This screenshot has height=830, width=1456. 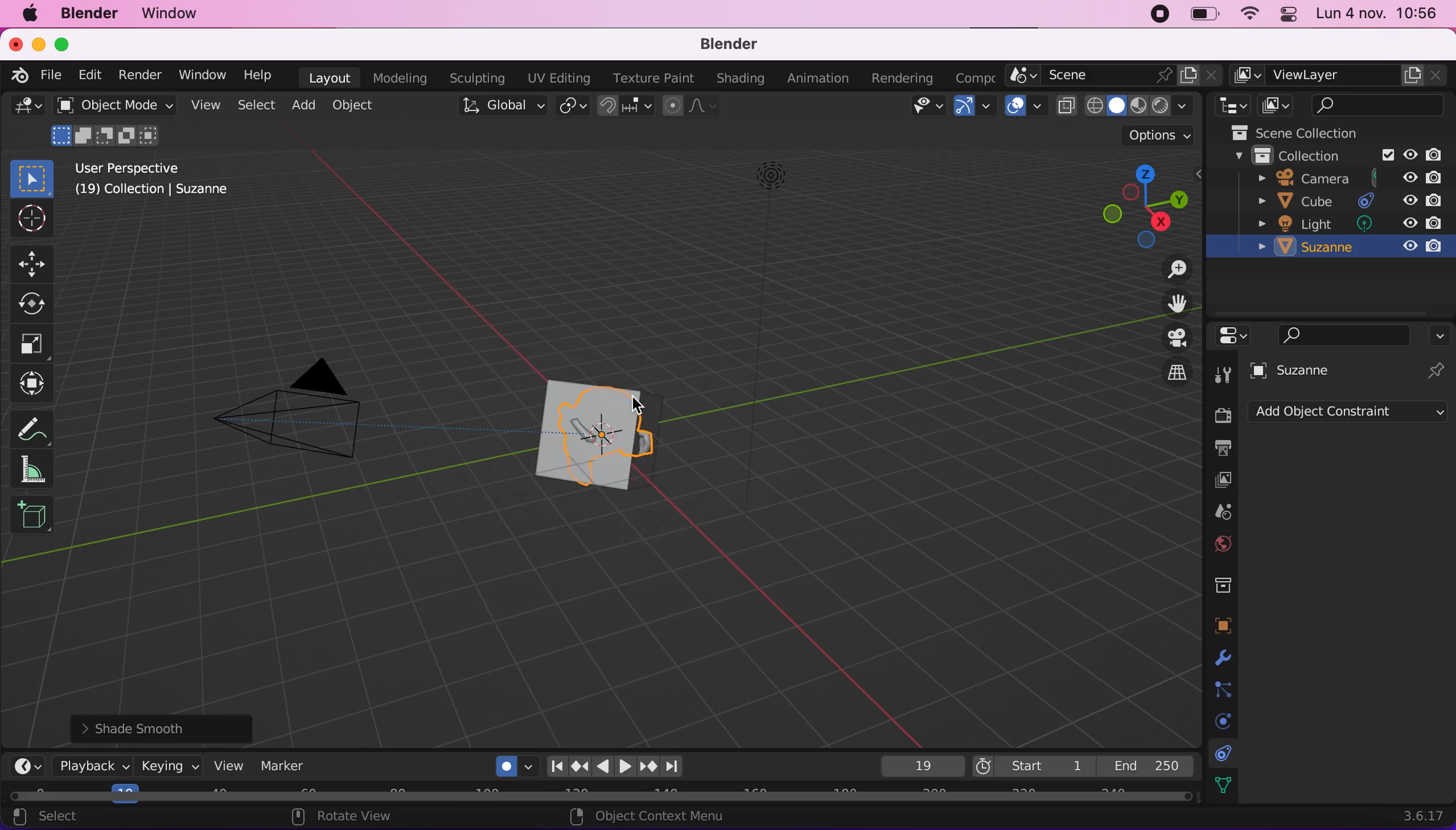 What do you see at coordinates (903, 75) in the screenshot?
I see `rendering` at bounding box center [903, 75].